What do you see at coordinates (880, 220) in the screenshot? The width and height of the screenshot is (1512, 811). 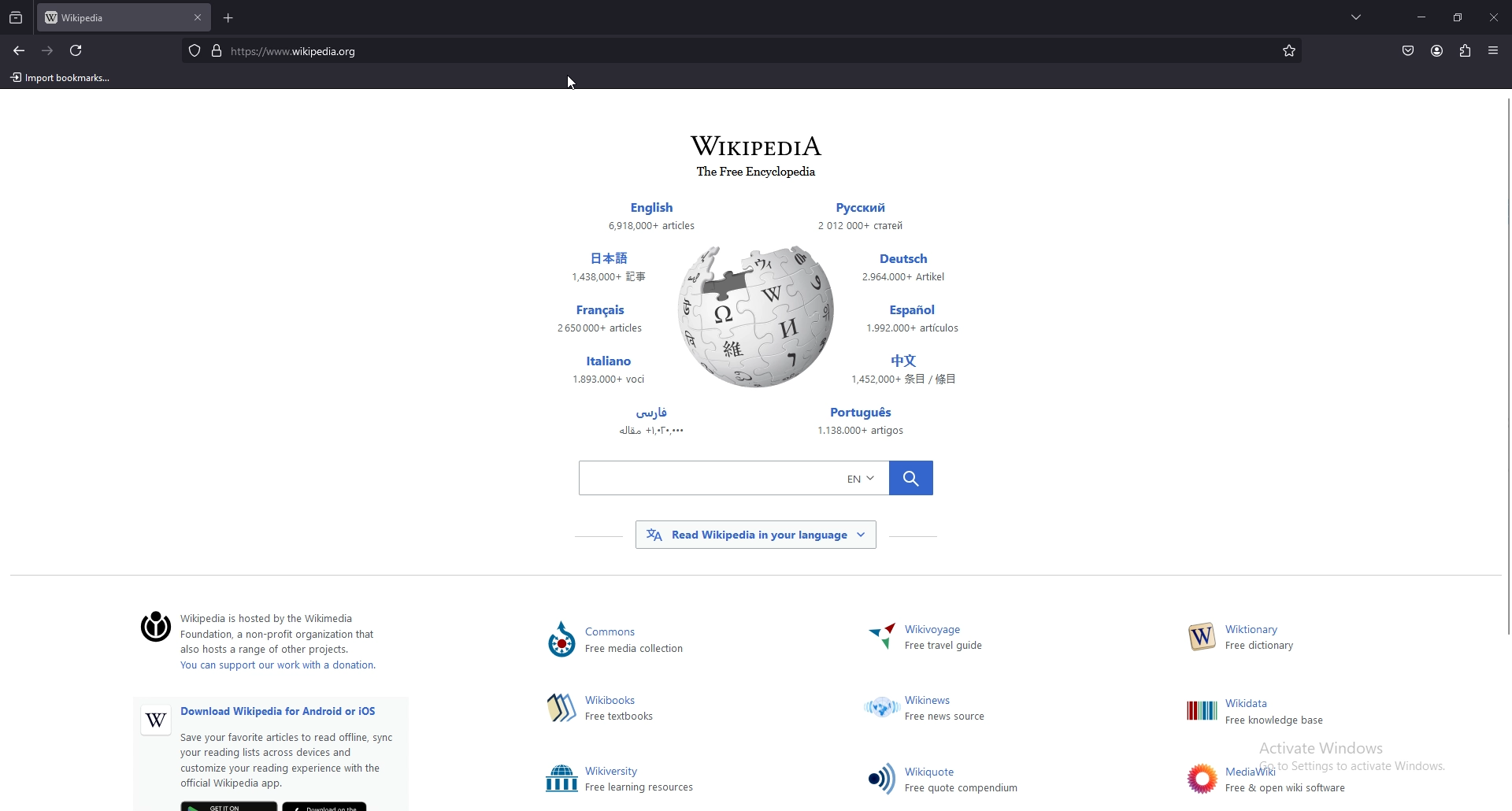 I see `` at bounding box center [880, 220].